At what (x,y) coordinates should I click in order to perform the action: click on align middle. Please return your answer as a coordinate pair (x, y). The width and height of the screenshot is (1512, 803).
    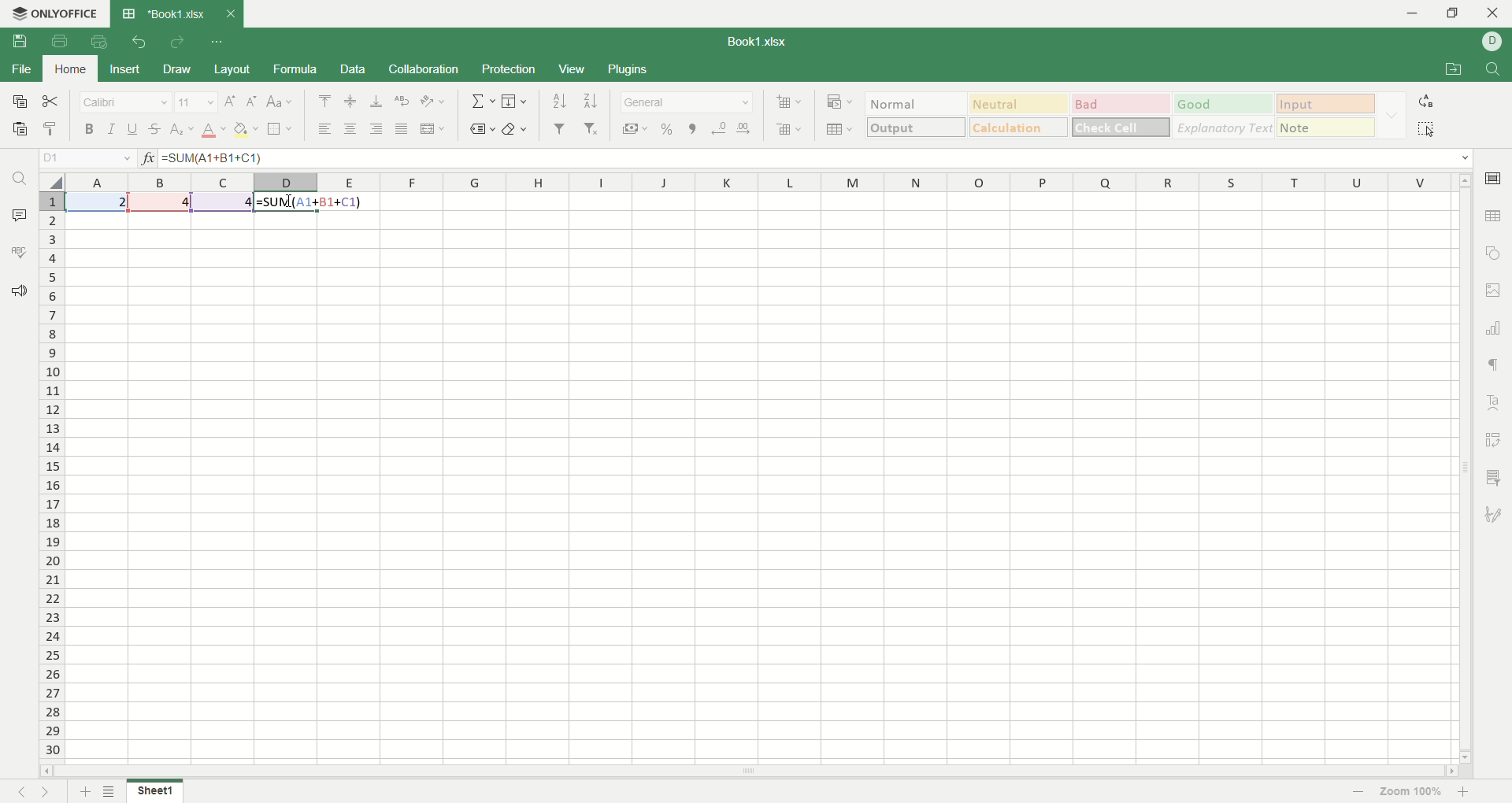
    Looking at the image, I should click on (349, 102).